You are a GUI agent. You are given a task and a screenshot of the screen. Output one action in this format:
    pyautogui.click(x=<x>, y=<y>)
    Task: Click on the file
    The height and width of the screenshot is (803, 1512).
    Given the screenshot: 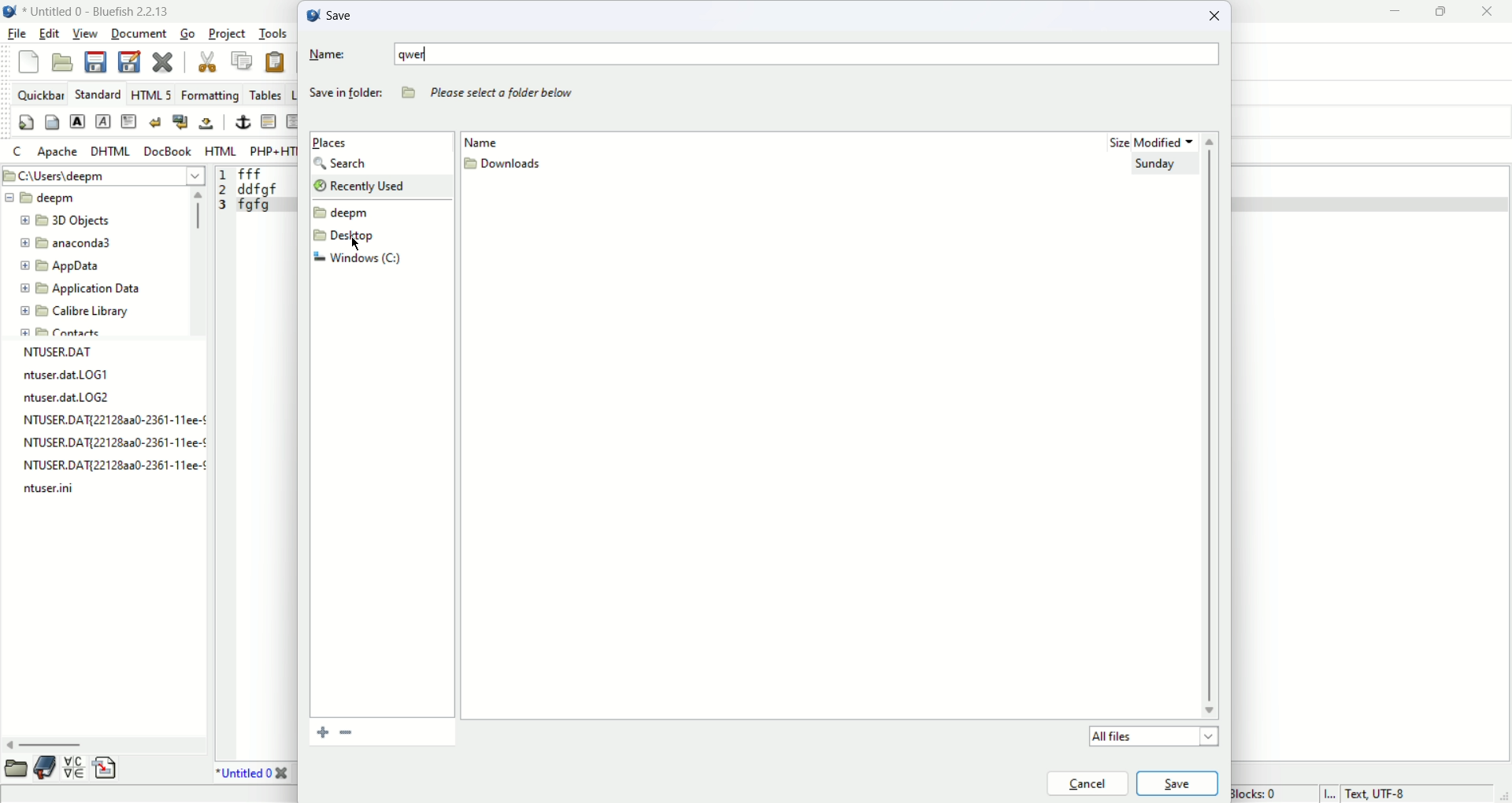 What is the action you would take?
    pyautogui.click(x=17, y=34)
    